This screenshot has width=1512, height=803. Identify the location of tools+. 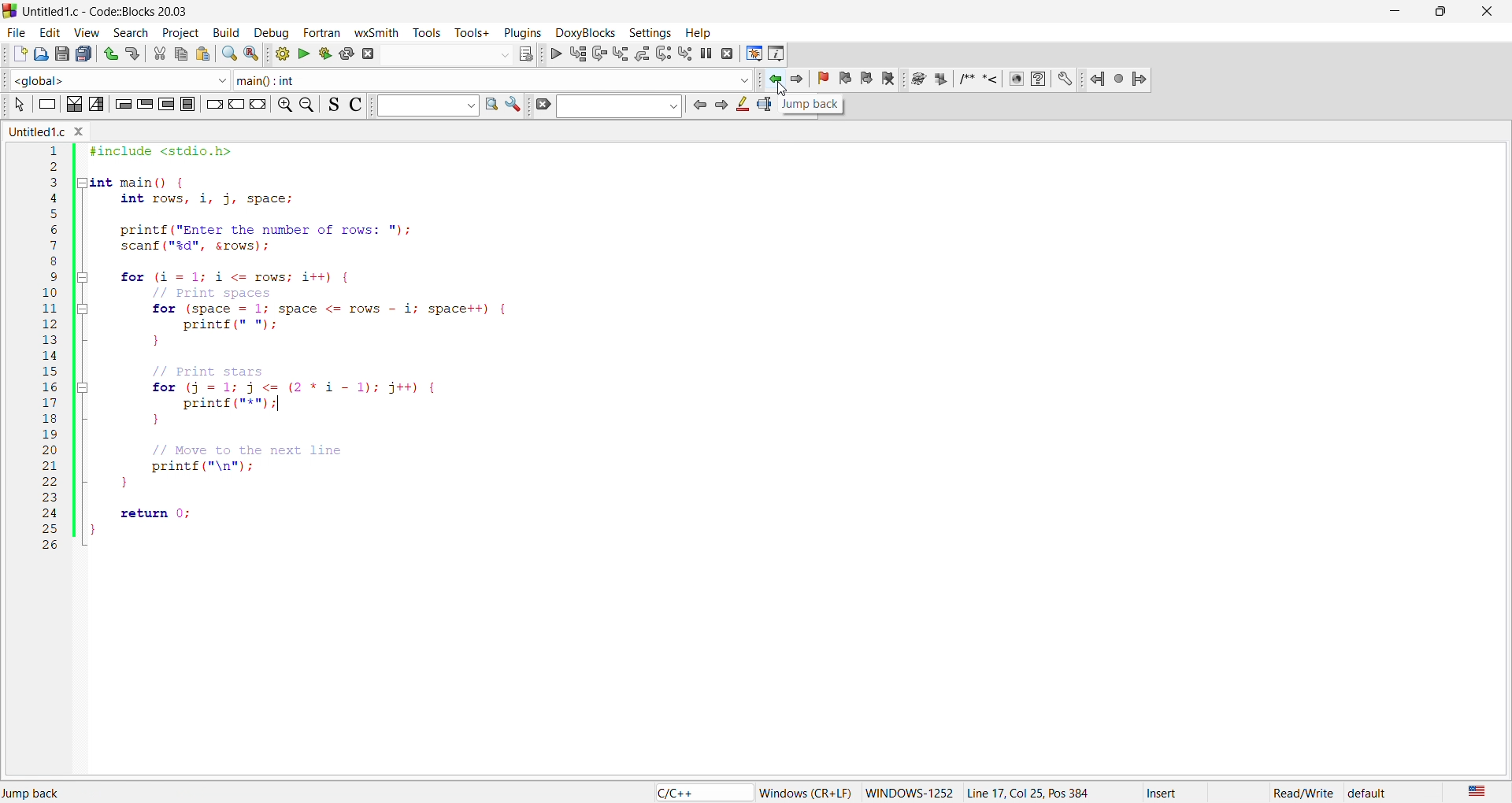
(469, 30).